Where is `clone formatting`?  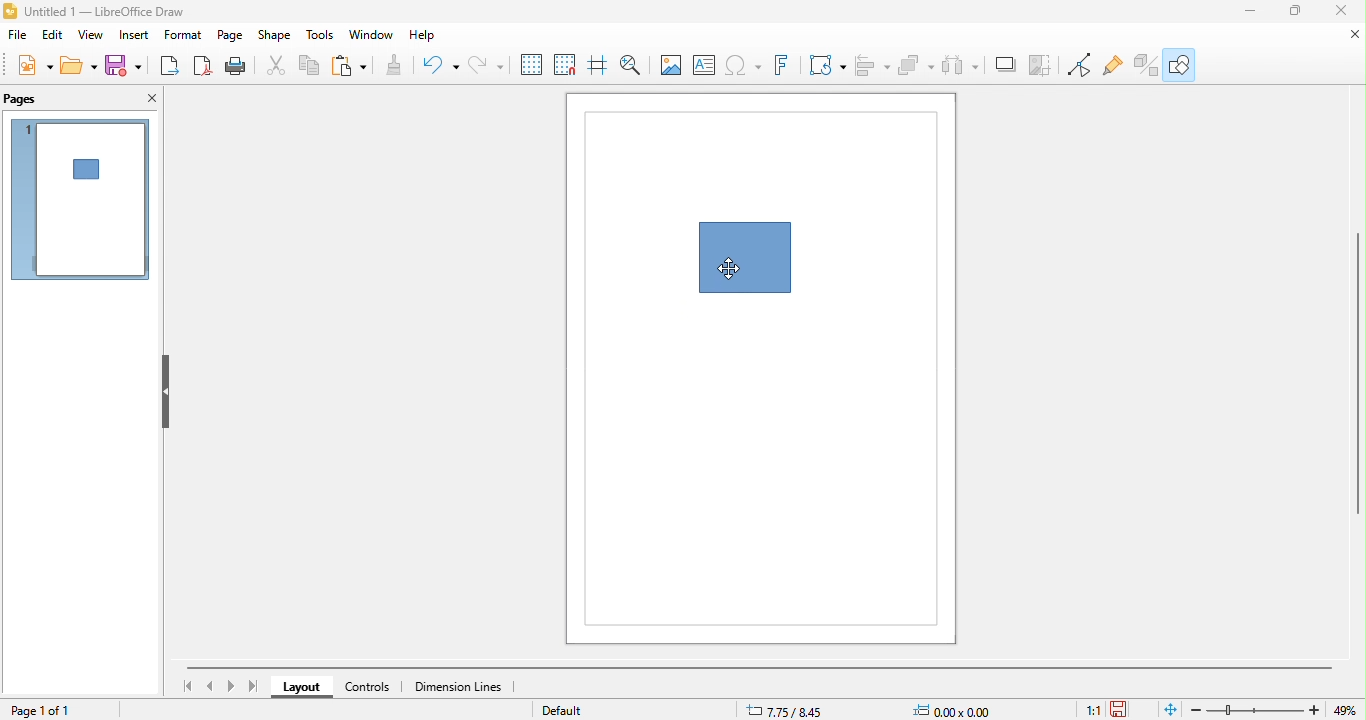
clone formatting is located at coordinates (398, 66).